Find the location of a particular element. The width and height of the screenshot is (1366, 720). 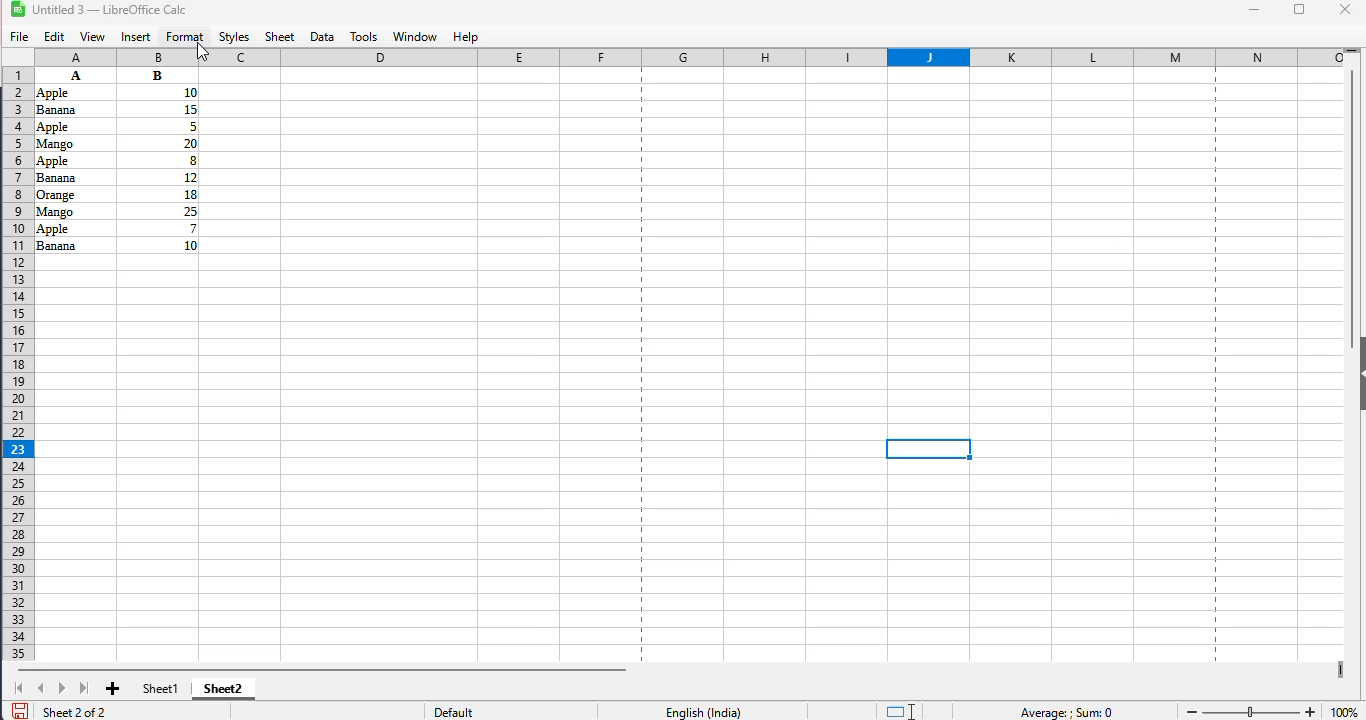

 is located at coordinates (74, 126).